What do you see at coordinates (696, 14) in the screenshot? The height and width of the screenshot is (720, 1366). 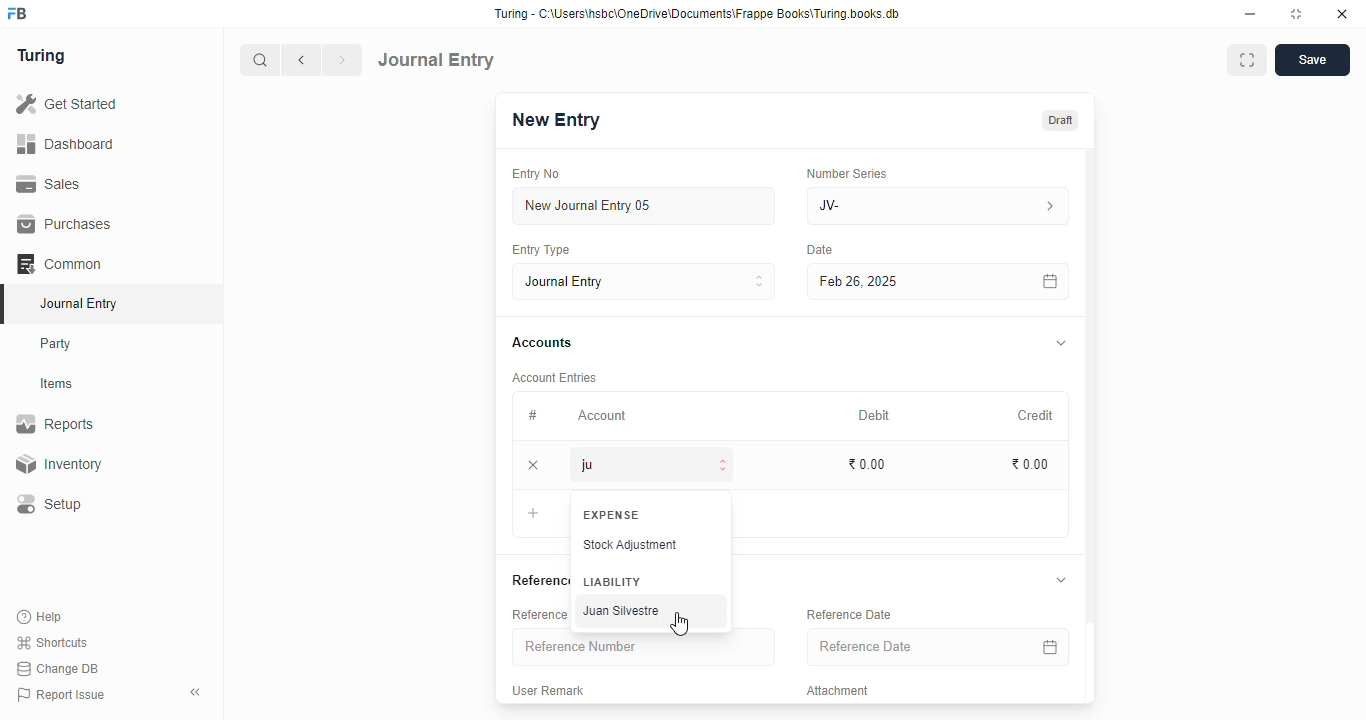 I see `Turing - C:\Users\hsbc\OneDrive\Documents\Frappe Books\Turing books.db` at bounding box center [696, 14].